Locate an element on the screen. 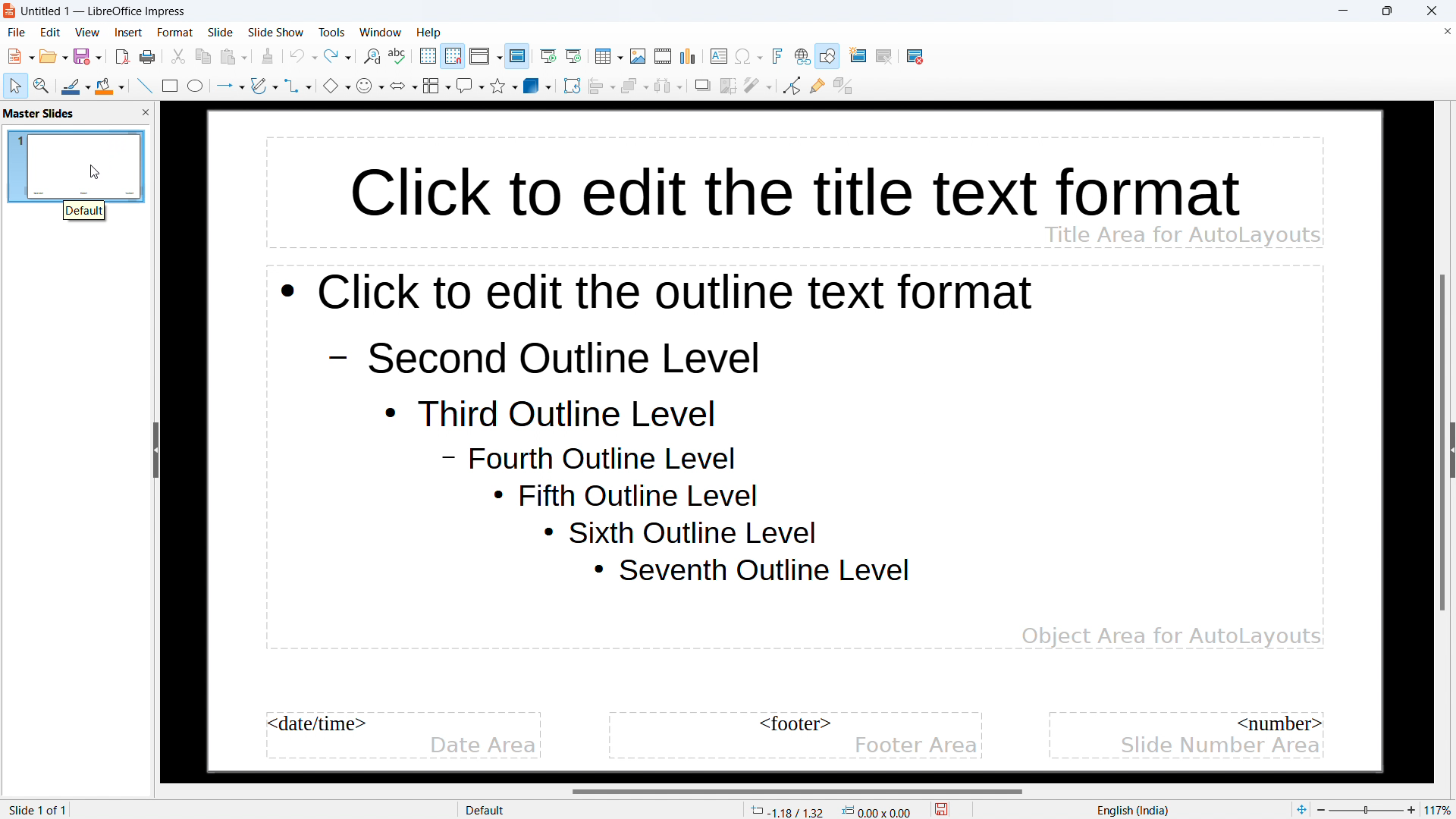 Image resolution: width=1456 pixels, height=819 pixels. display grid is located at coordinates (428, 56).